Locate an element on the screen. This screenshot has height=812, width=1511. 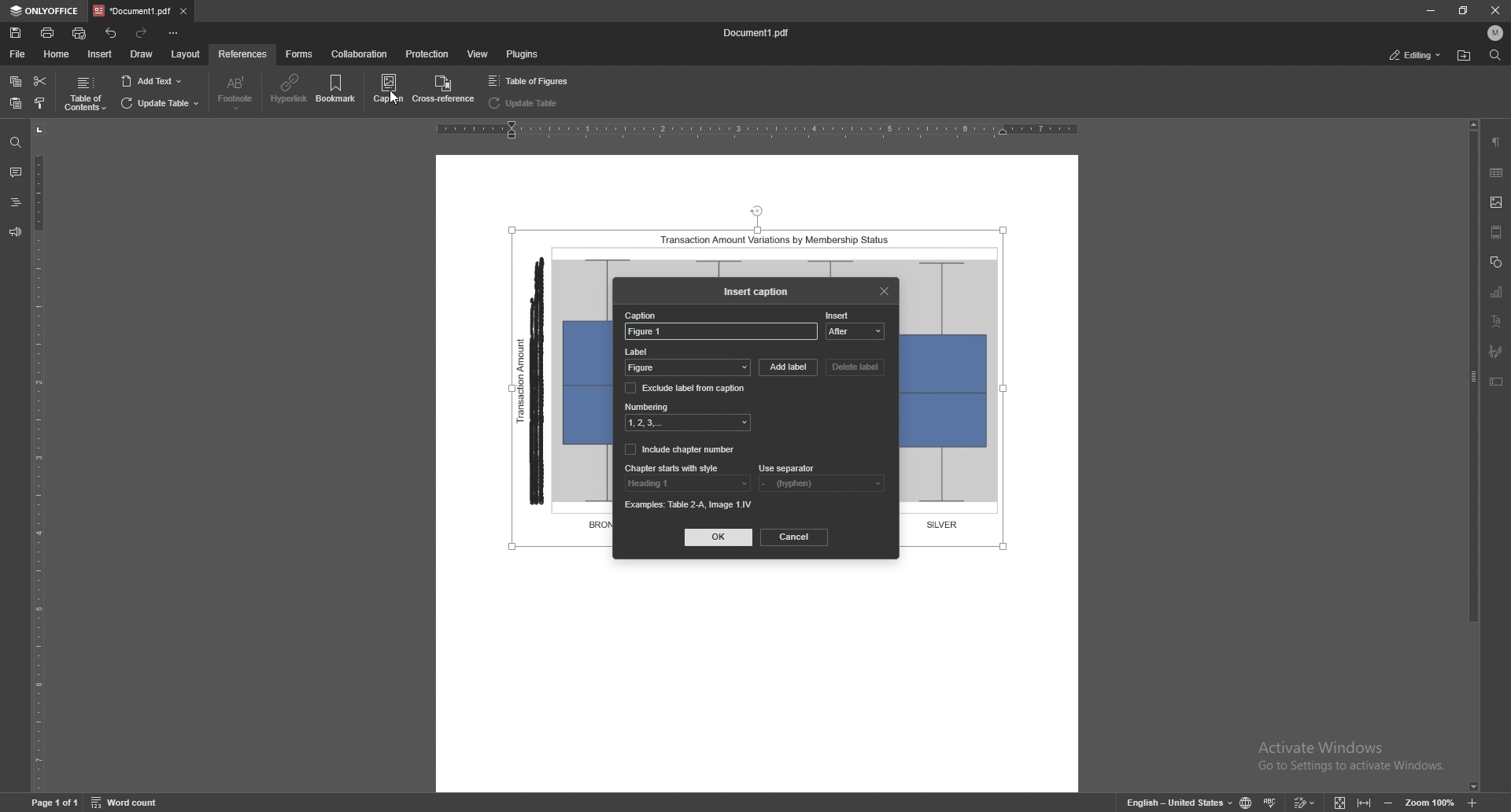
use separator is located at coordinates (788, 468).